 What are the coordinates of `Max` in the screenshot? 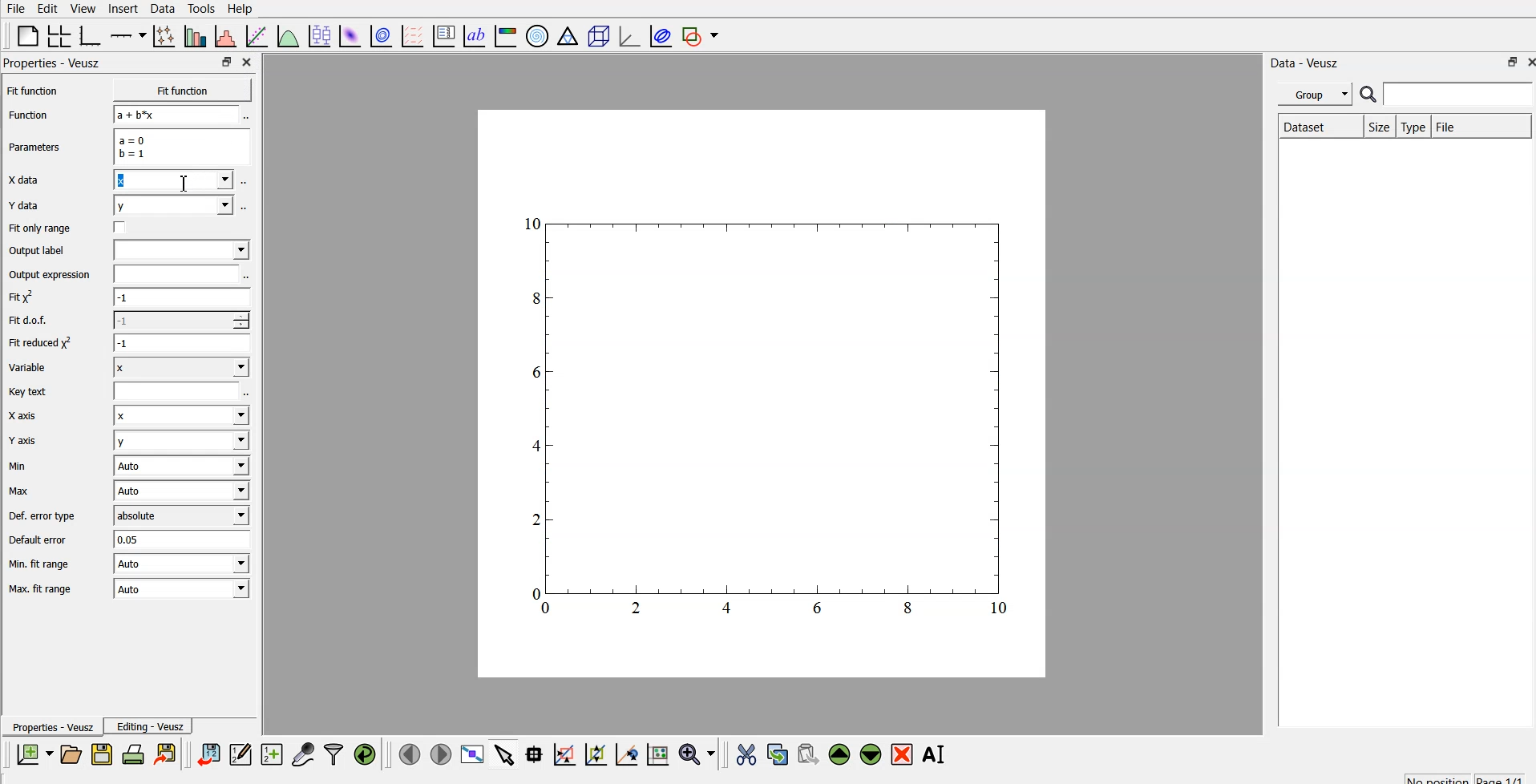 It's located at (39, 491).